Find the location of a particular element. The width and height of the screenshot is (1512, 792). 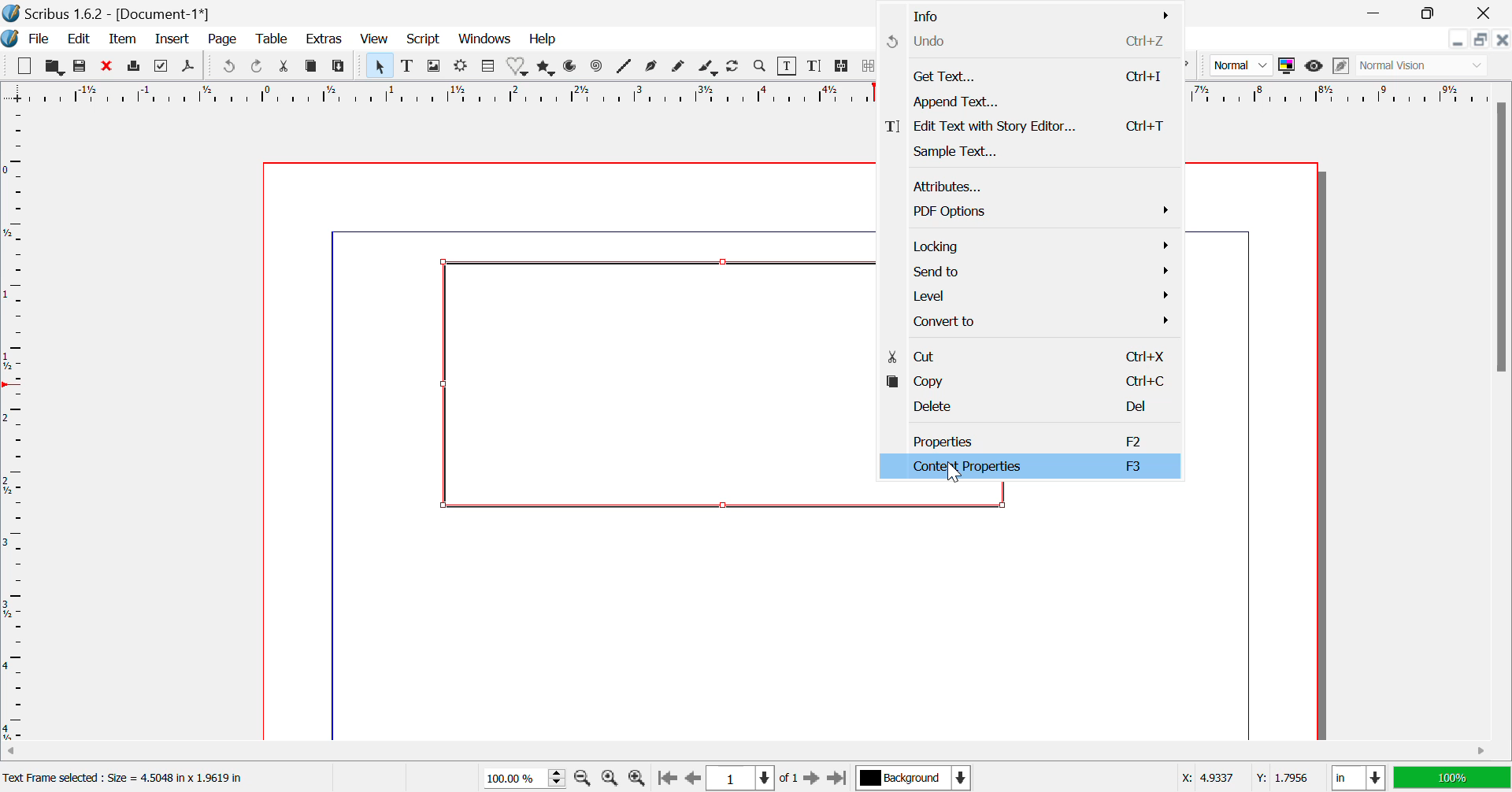

Save as Pdf is located at coordinates (192, 67).